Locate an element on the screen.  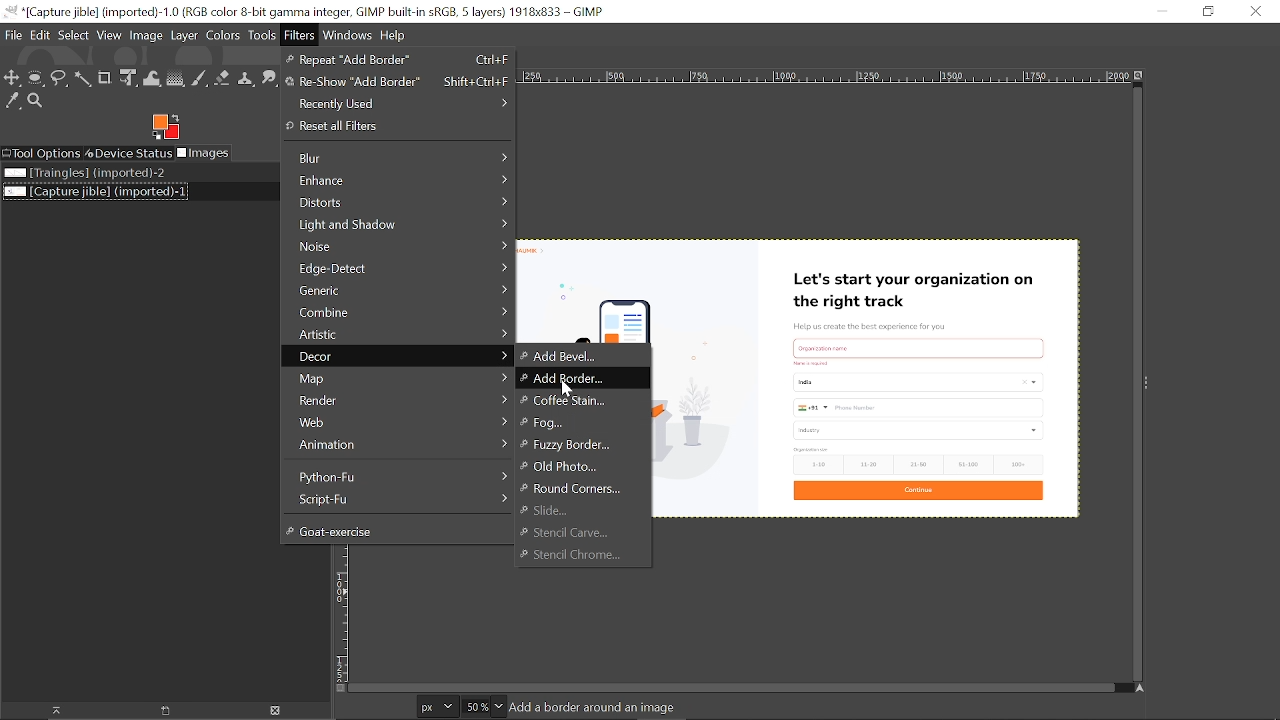
Free select tool is located at coordinates (61, 79).